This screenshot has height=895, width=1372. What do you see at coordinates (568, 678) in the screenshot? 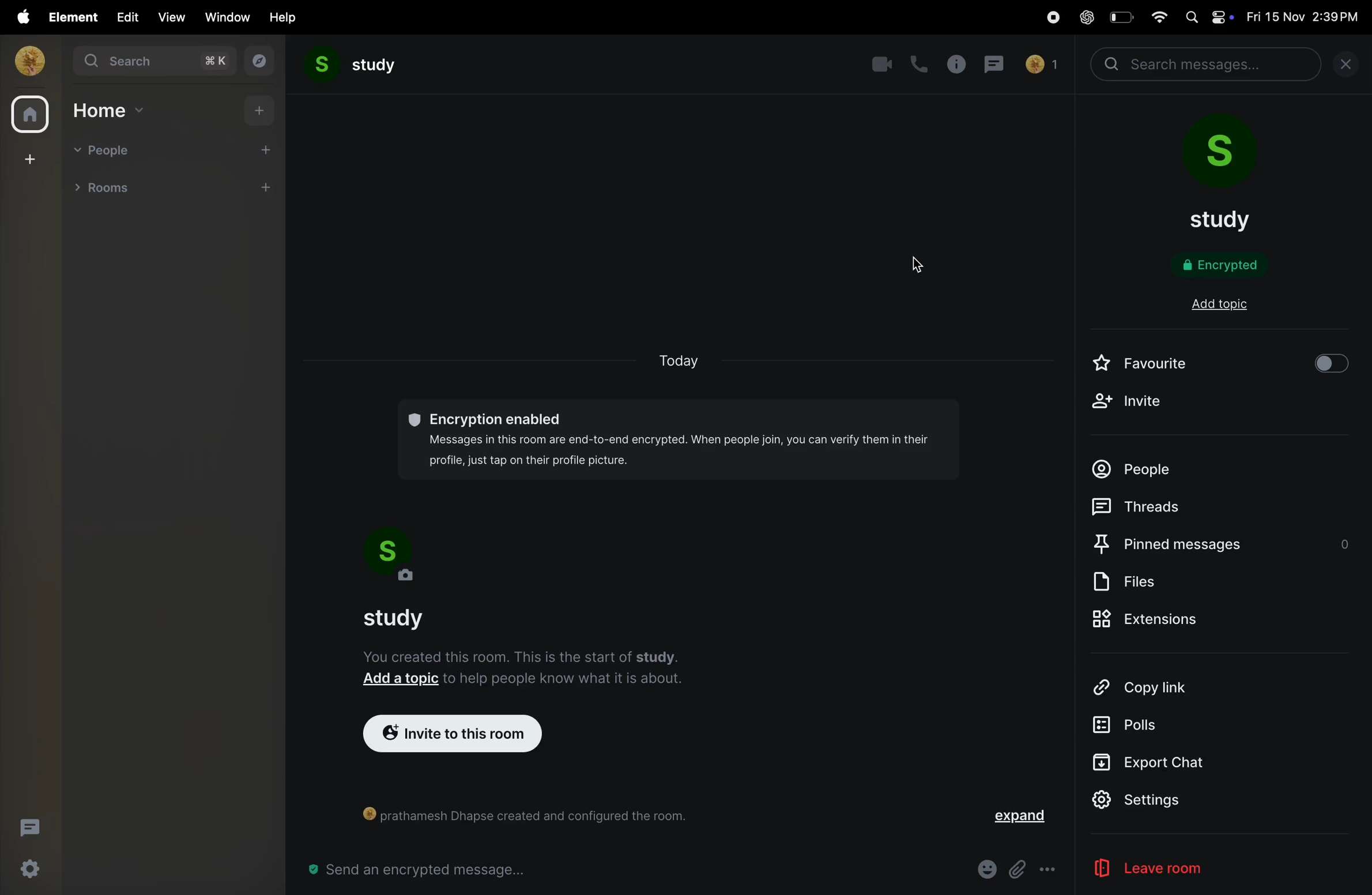
I see `to help people know what it is about.` at bounding box center [568, 678].